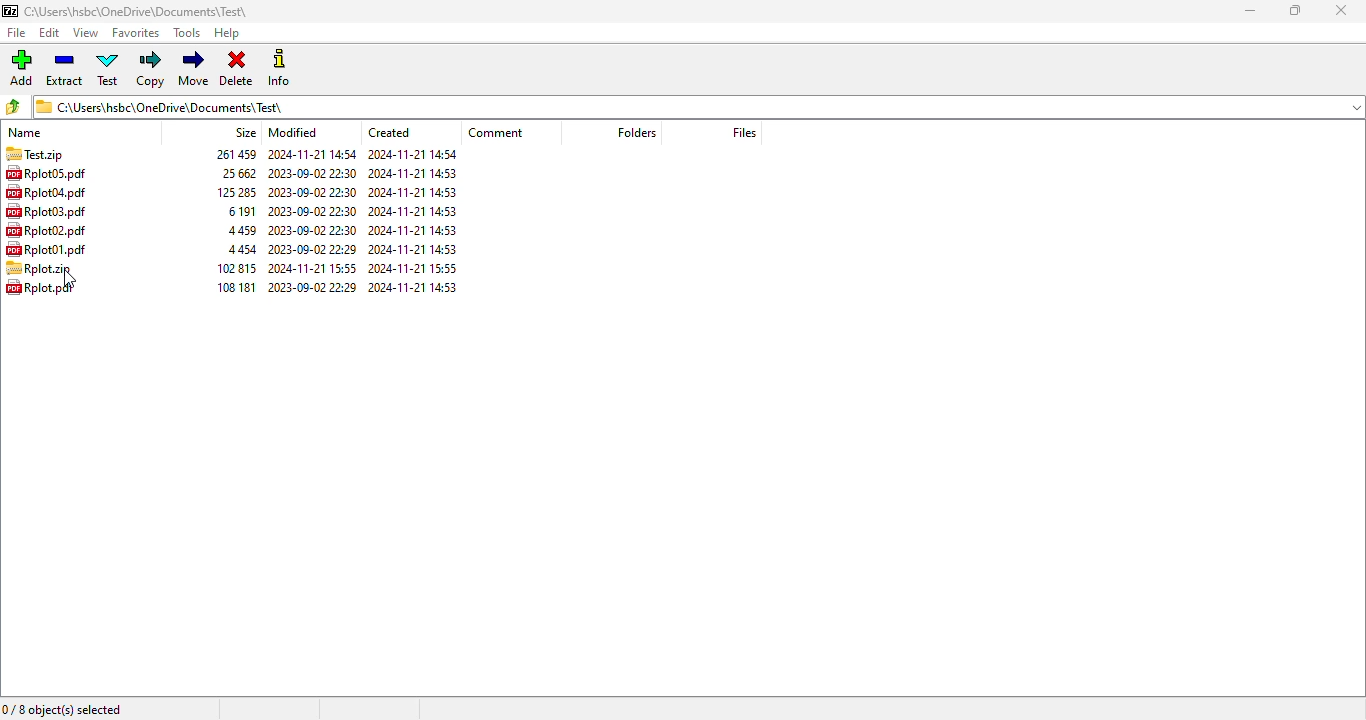 The image size is (1366, 720). I want to click on cursor, so click(70, 280).